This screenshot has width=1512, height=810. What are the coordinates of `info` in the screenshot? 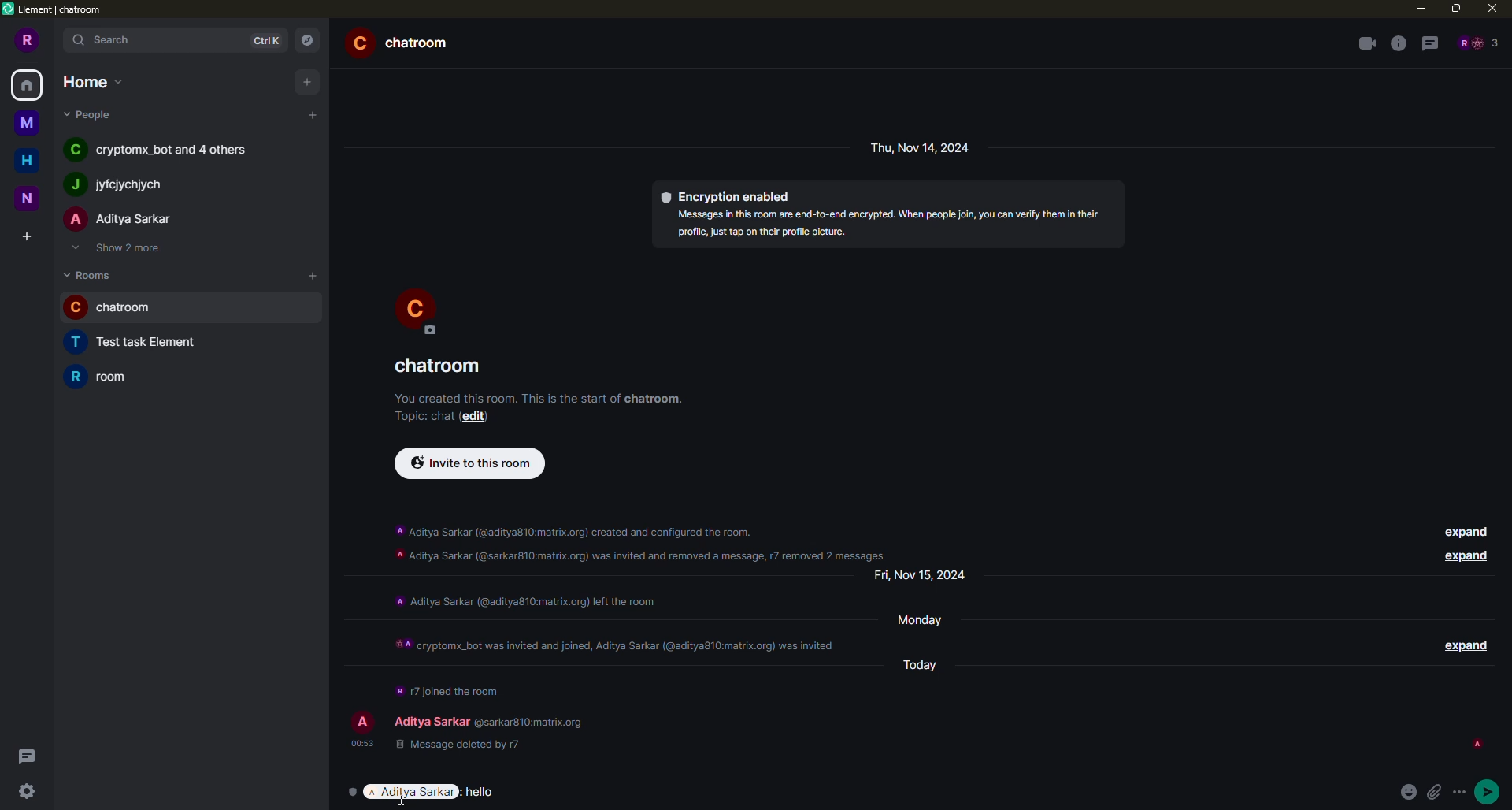 It's located at (1398, 43).